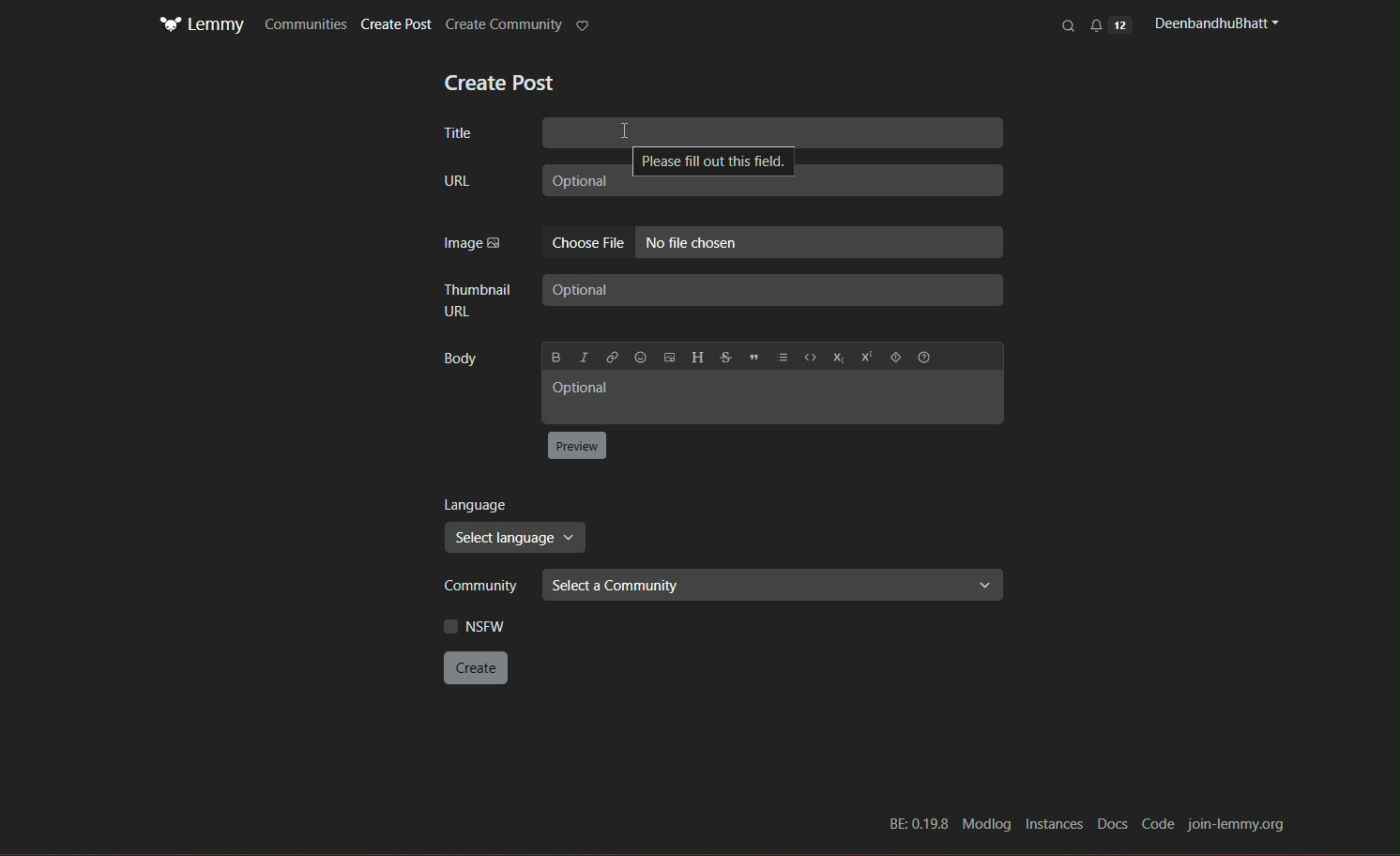  Describe the element at coordinates (809, 356) in the screenshot. I see `code` at that location.